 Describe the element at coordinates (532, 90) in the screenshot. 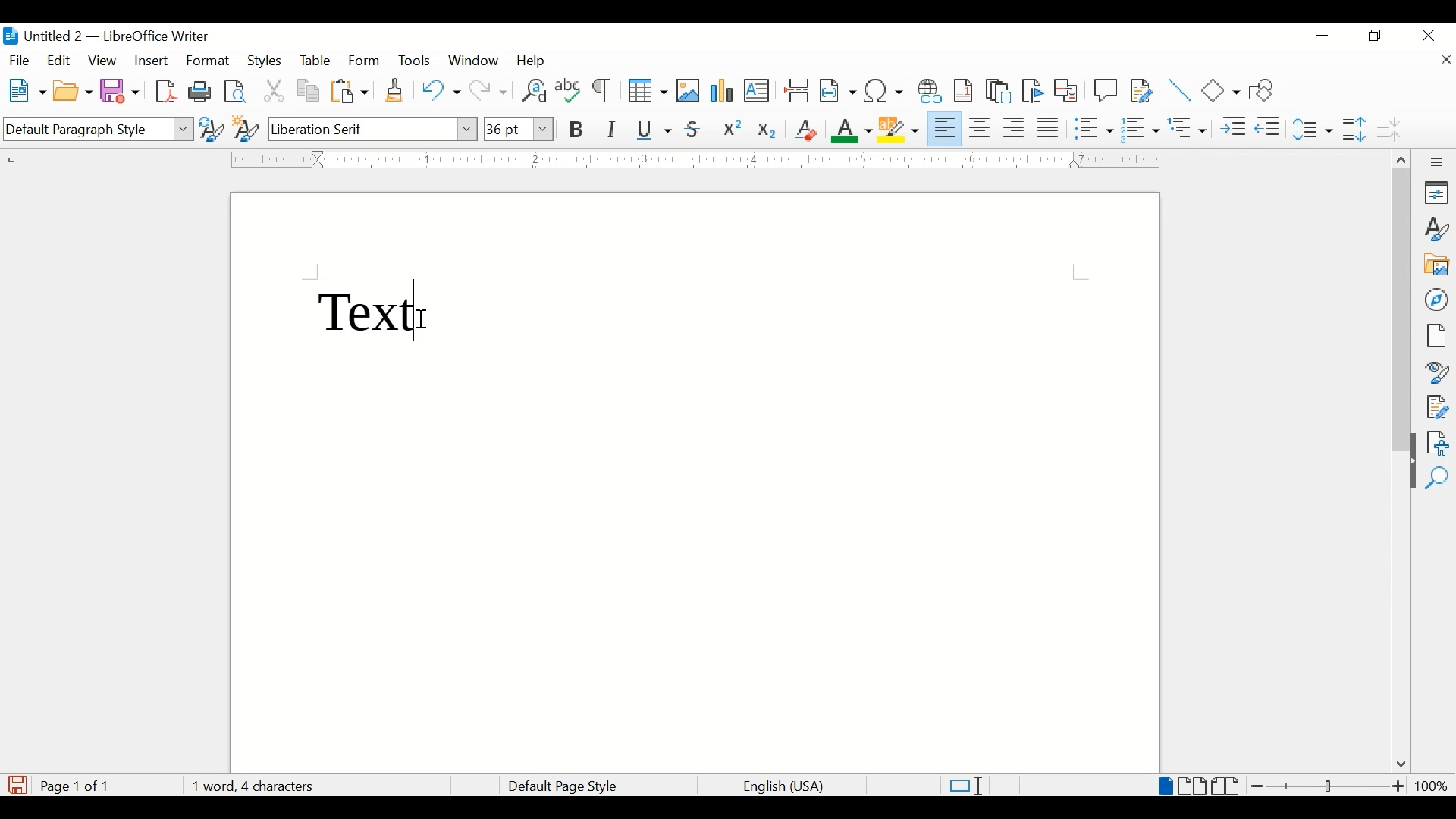

I see `find and replace` at that location.